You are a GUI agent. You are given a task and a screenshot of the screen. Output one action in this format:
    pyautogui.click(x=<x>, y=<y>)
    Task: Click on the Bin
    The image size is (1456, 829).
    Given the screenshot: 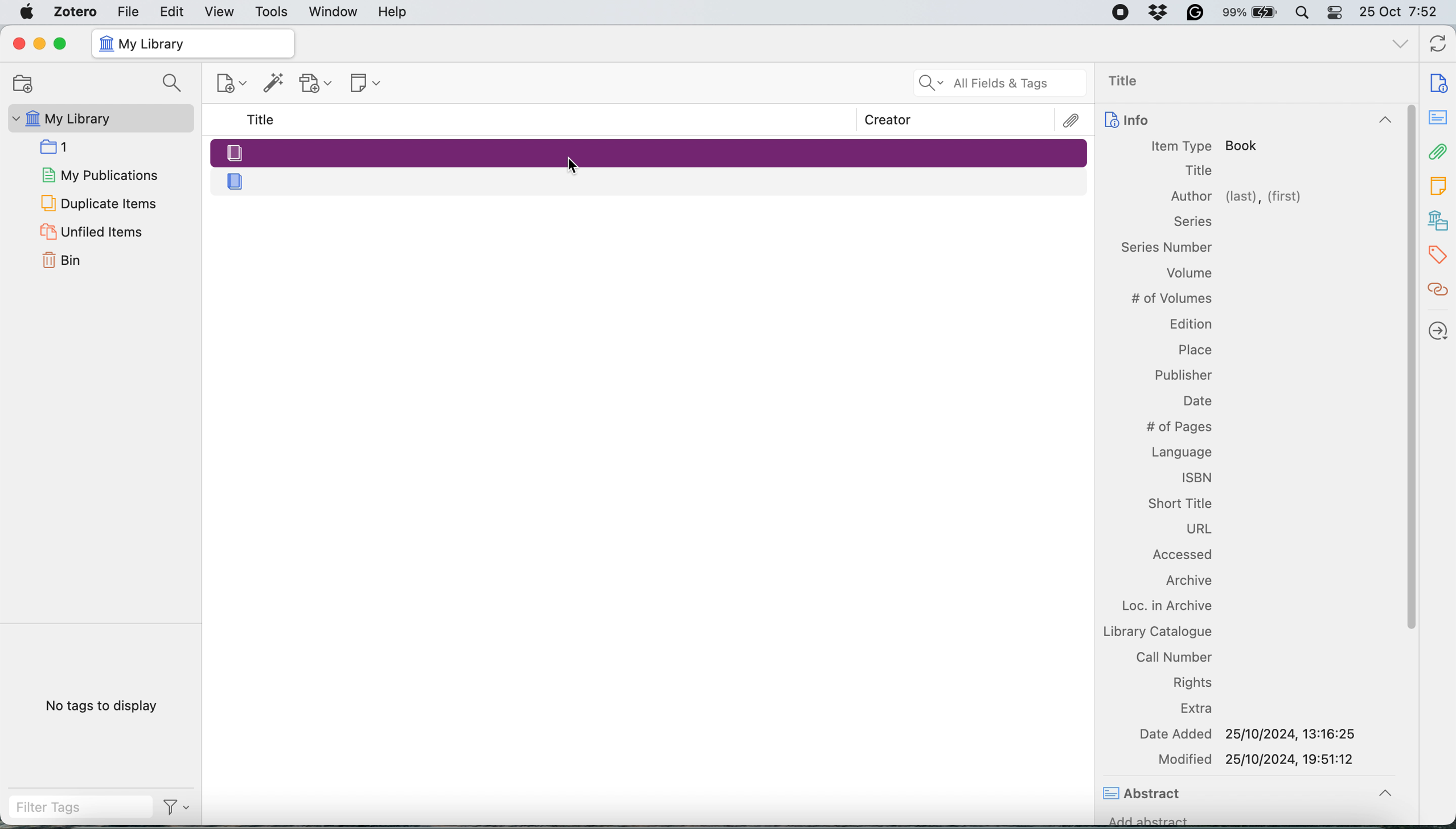 What is the action you would take?
    pyautogui.click(x=76, y=258)
    